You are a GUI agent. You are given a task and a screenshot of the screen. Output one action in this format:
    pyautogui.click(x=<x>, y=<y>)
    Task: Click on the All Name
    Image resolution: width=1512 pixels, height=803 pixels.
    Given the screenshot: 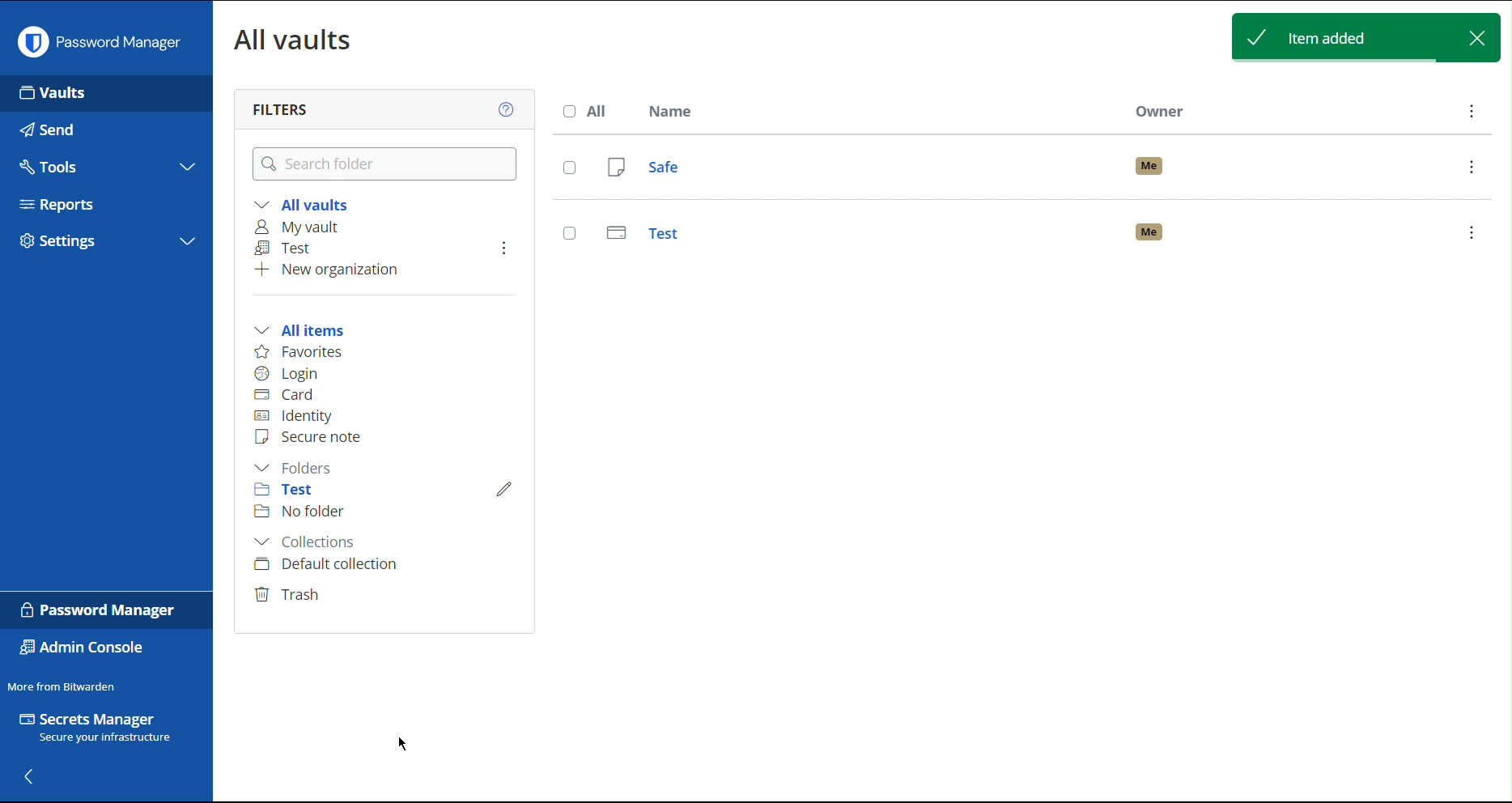 What is the action you would take?
    pyautogui.click(x=584, y=113)
    